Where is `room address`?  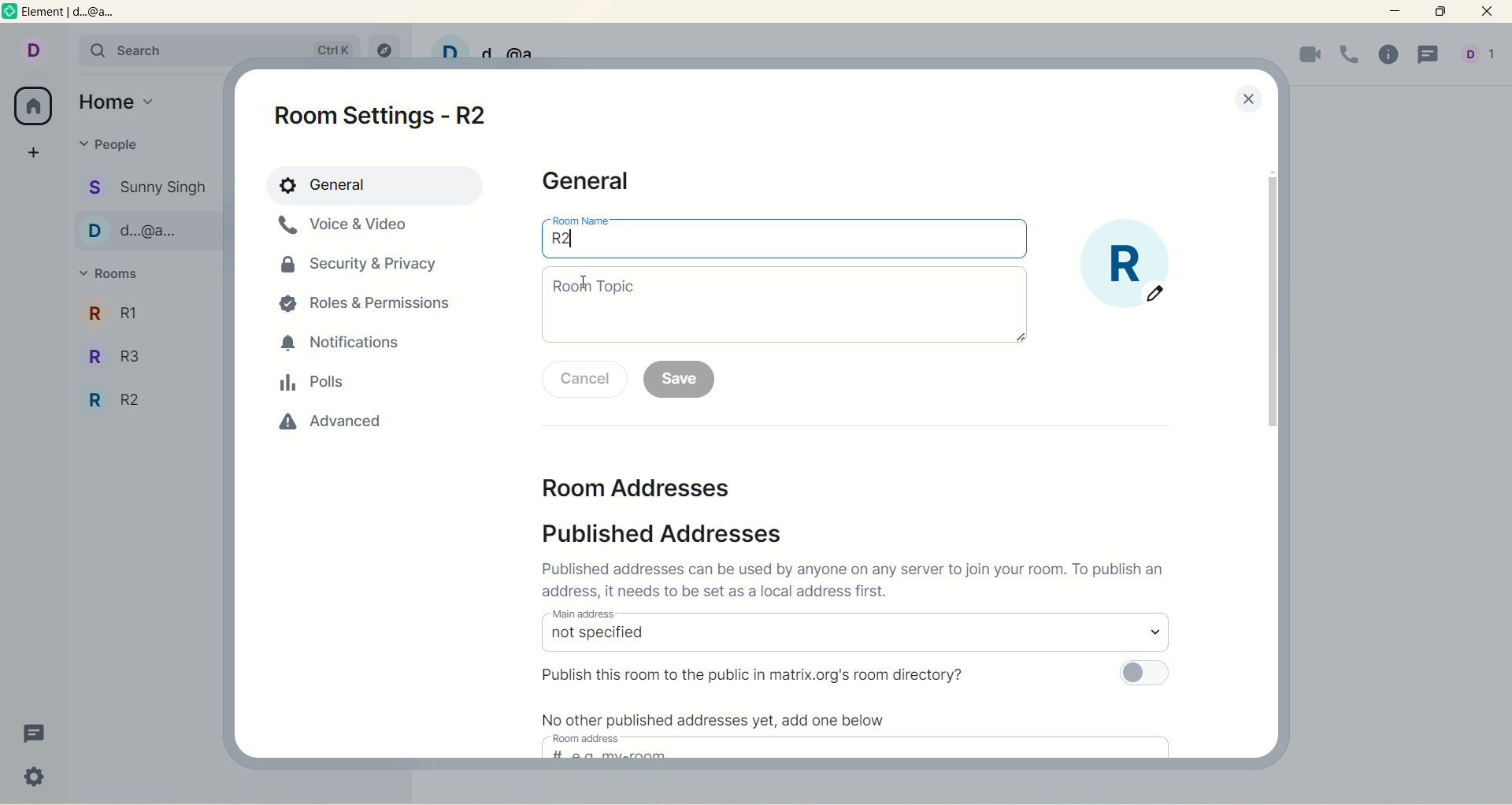 room address is located at coordinates (653, 491).